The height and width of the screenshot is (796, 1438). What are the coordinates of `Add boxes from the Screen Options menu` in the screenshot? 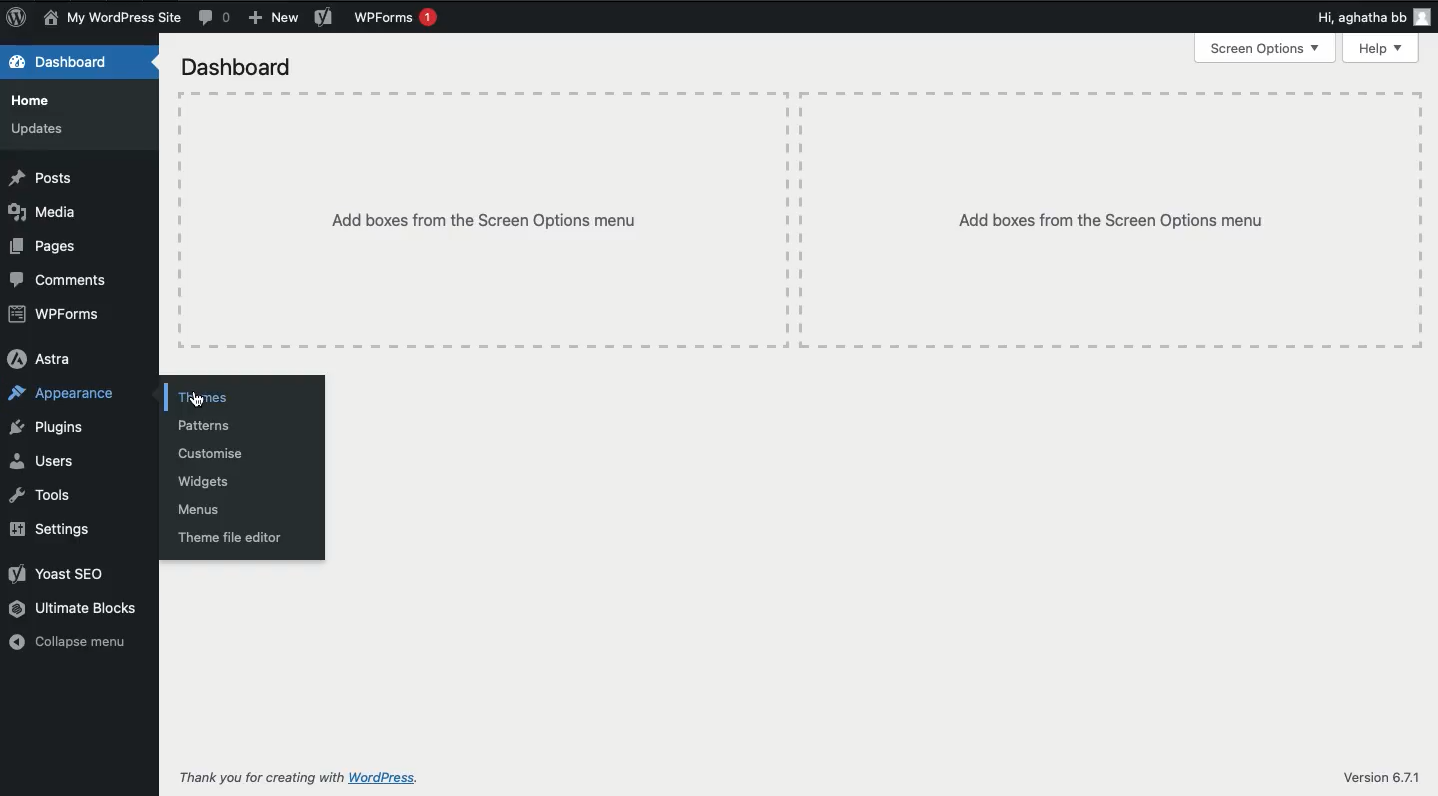 It's located at (1113, 218).